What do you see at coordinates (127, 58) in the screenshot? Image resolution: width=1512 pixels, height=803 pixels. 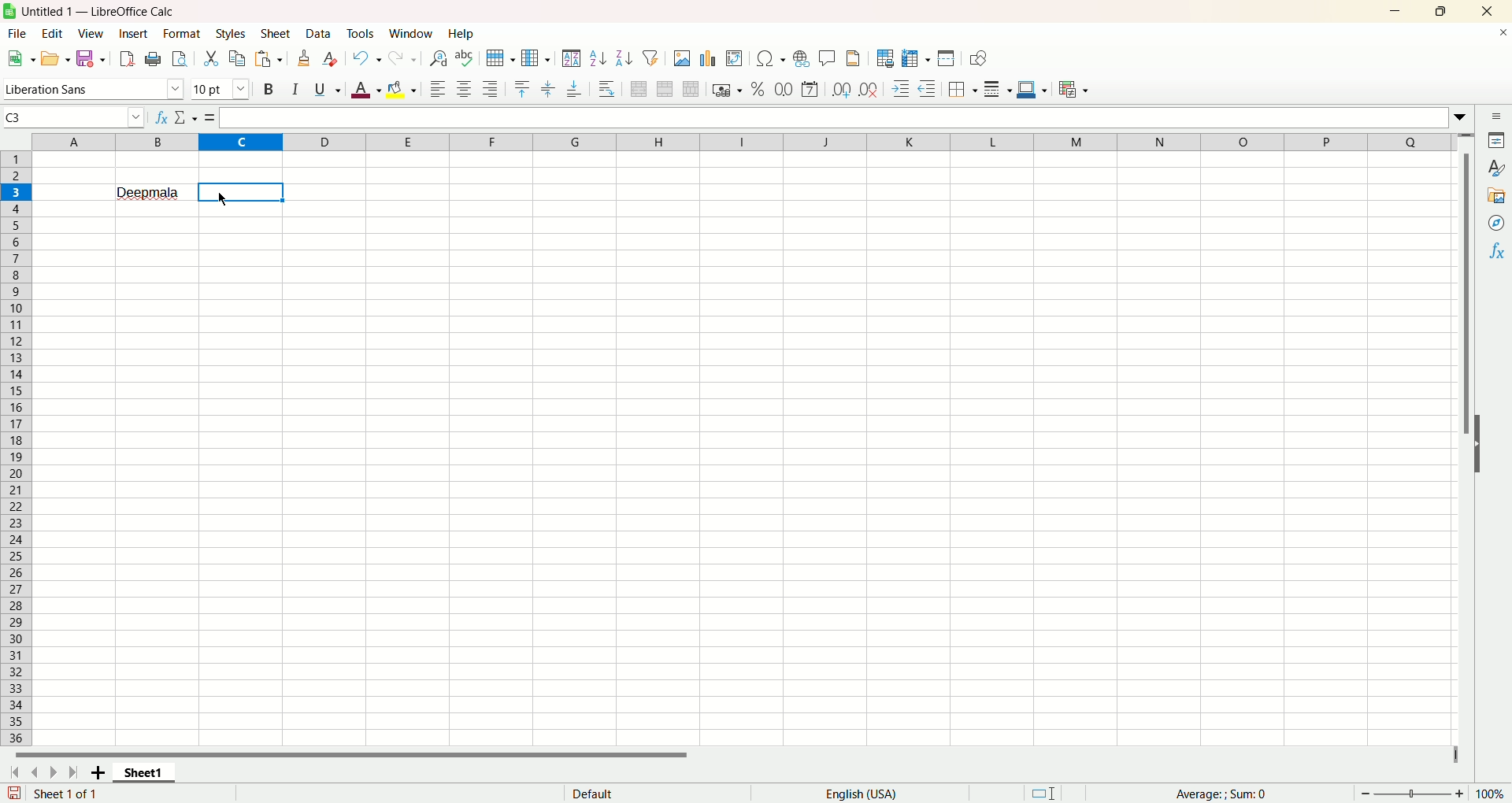 I see `Export as pdf` at bounding box center [127, 58].